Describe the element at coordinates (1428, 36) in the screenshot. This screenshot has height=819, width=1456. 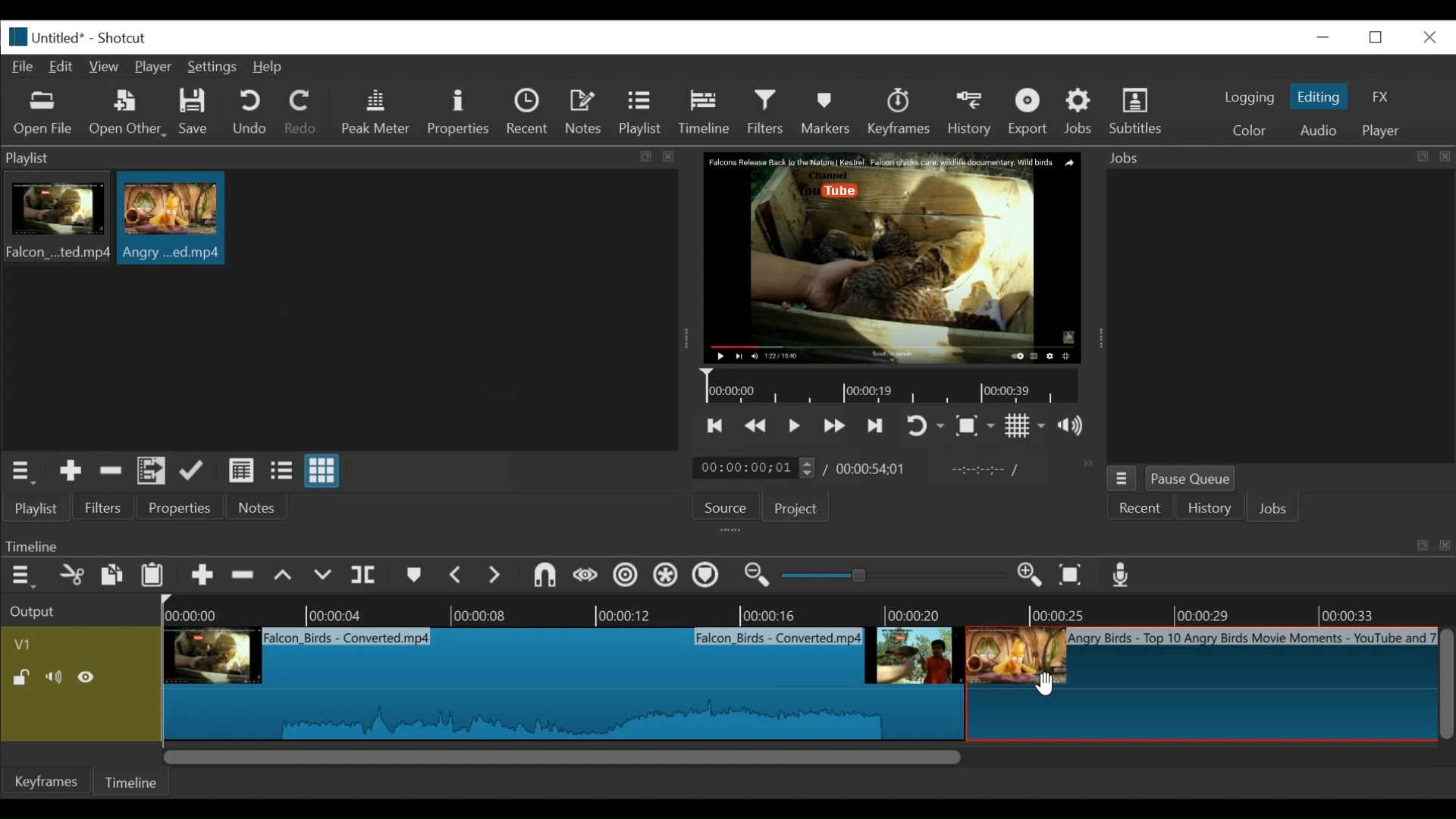
I see `close` at that location.